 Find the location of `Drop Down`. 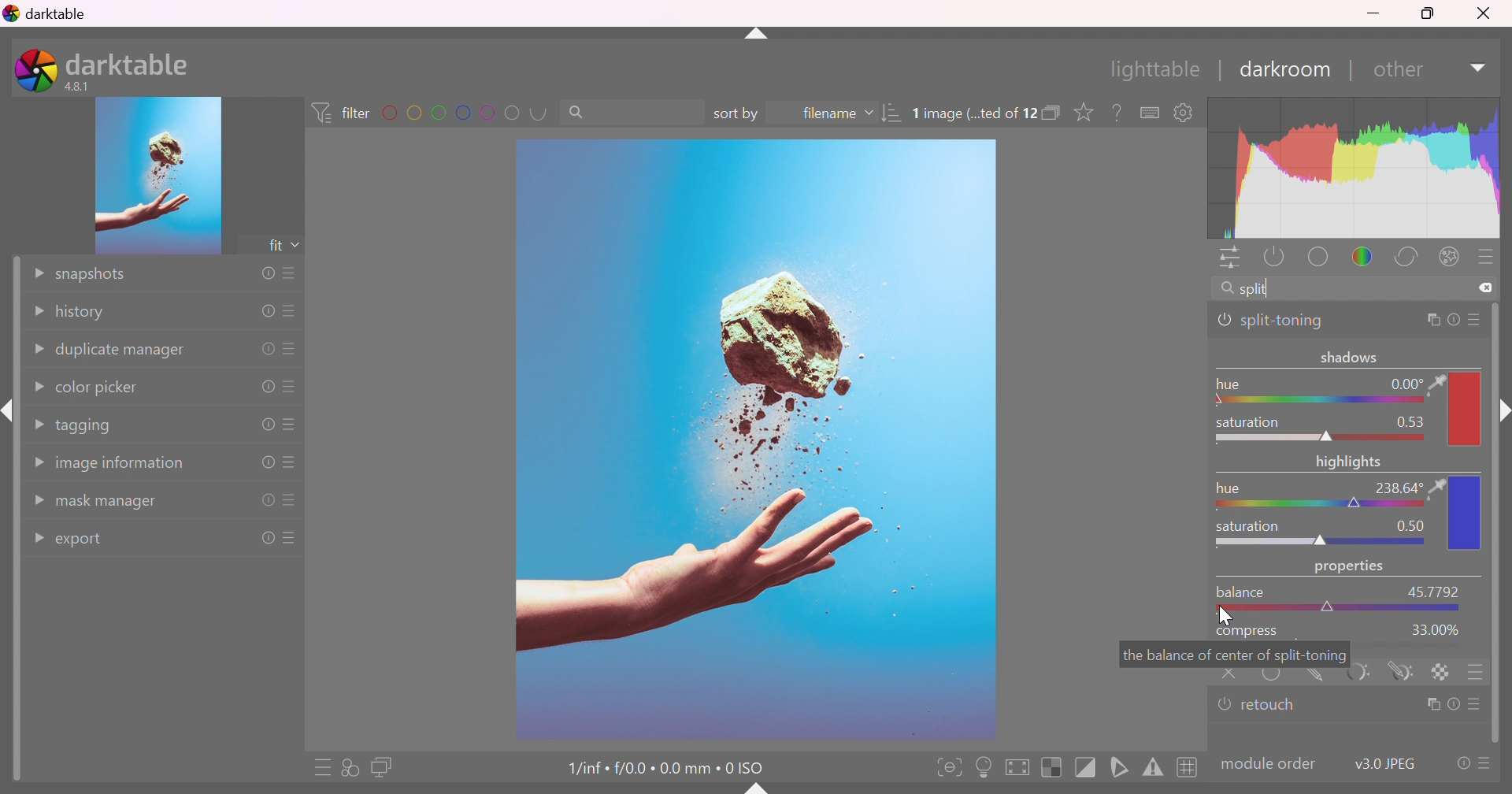

Drop Down is located at coordinates (35, 500).